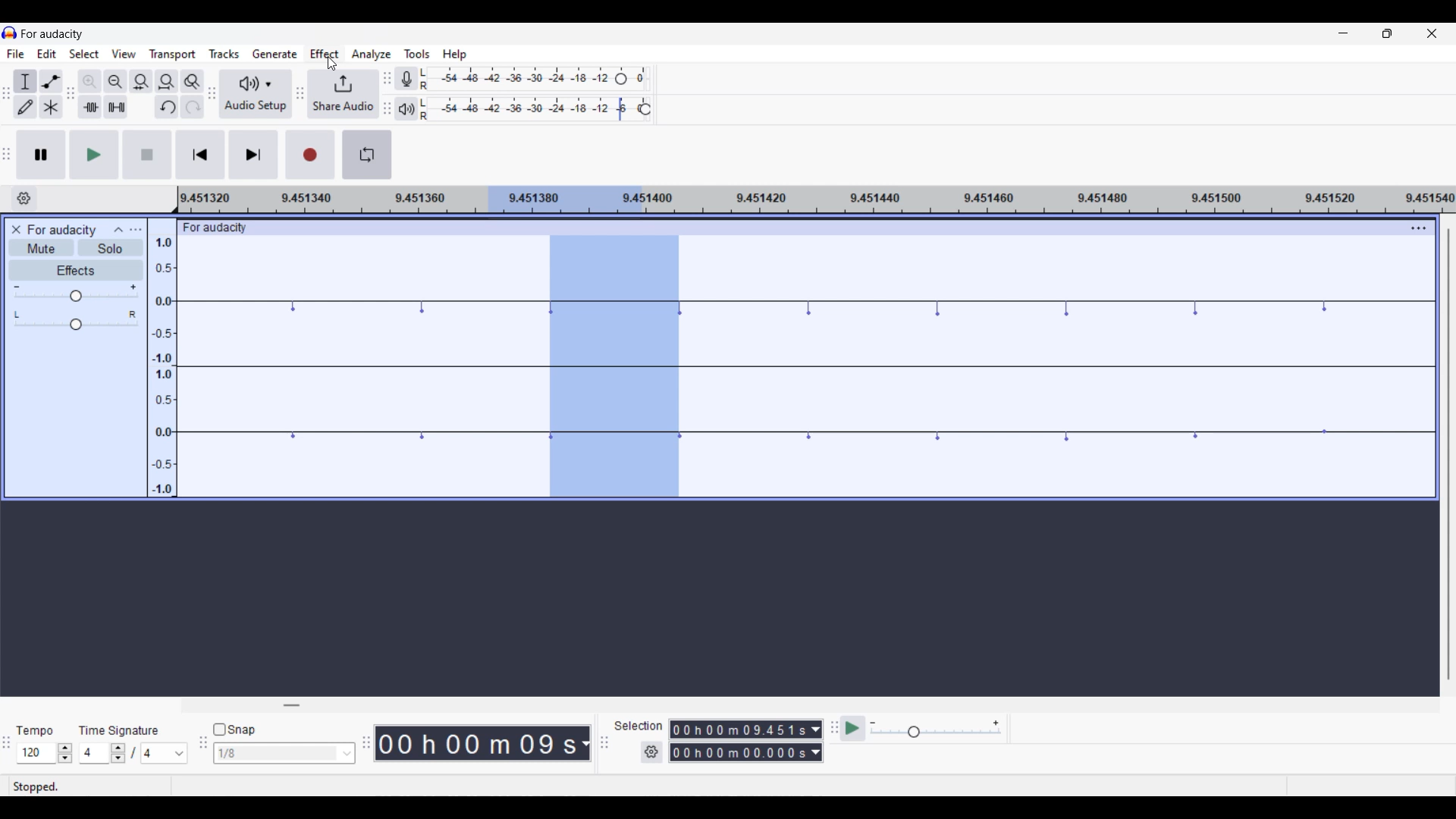  I want to click on Help menu, so click(455, 55).